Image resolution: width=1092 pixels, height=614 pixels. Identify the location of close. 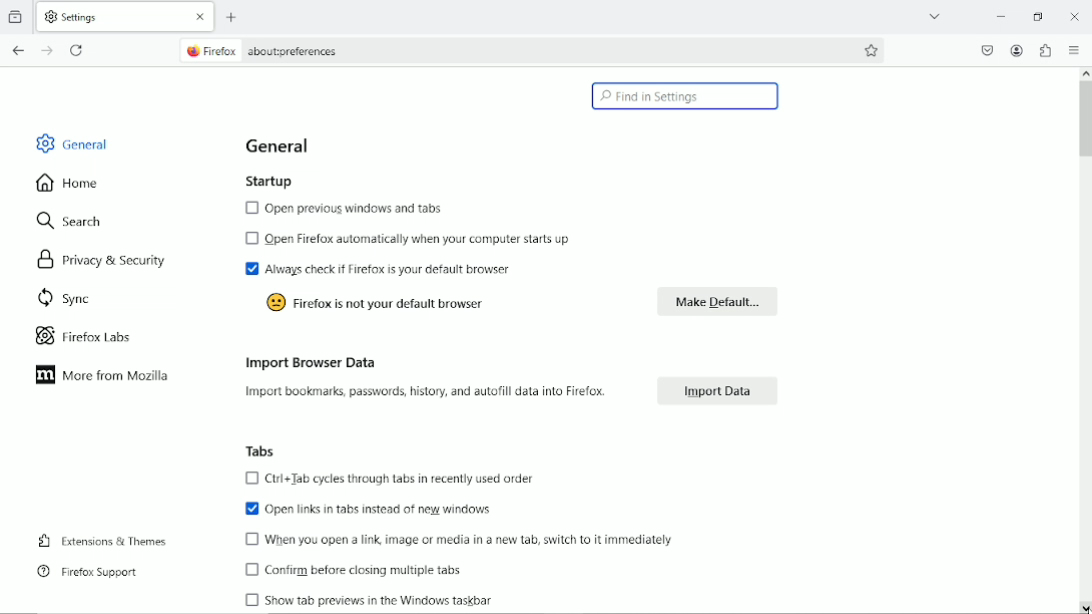
(200, 18).